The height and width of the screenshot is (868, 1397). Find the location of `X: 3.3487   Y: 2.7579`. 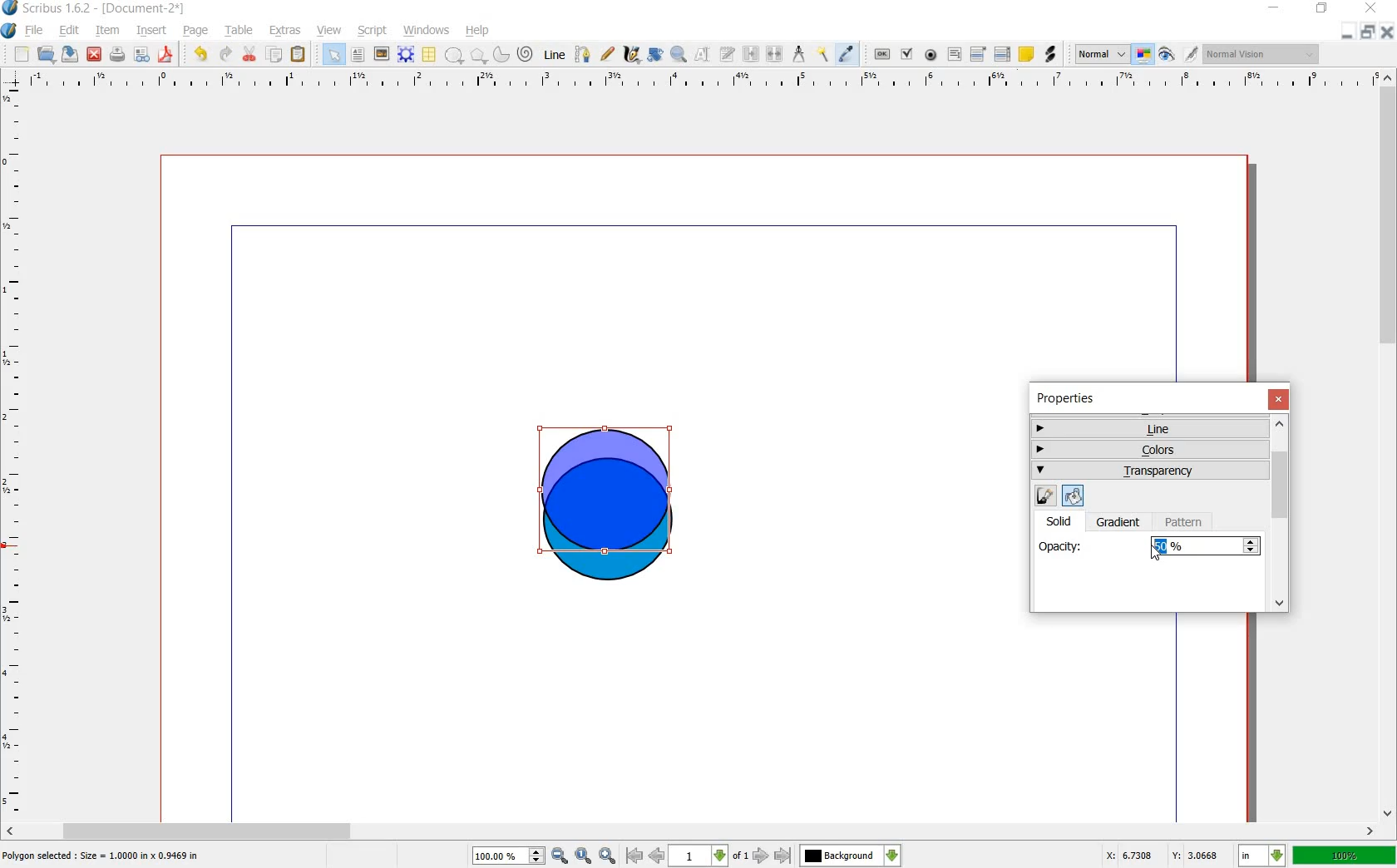

X: 3.3487   Y: 2.7579 is located at coordinates (1163, 855).